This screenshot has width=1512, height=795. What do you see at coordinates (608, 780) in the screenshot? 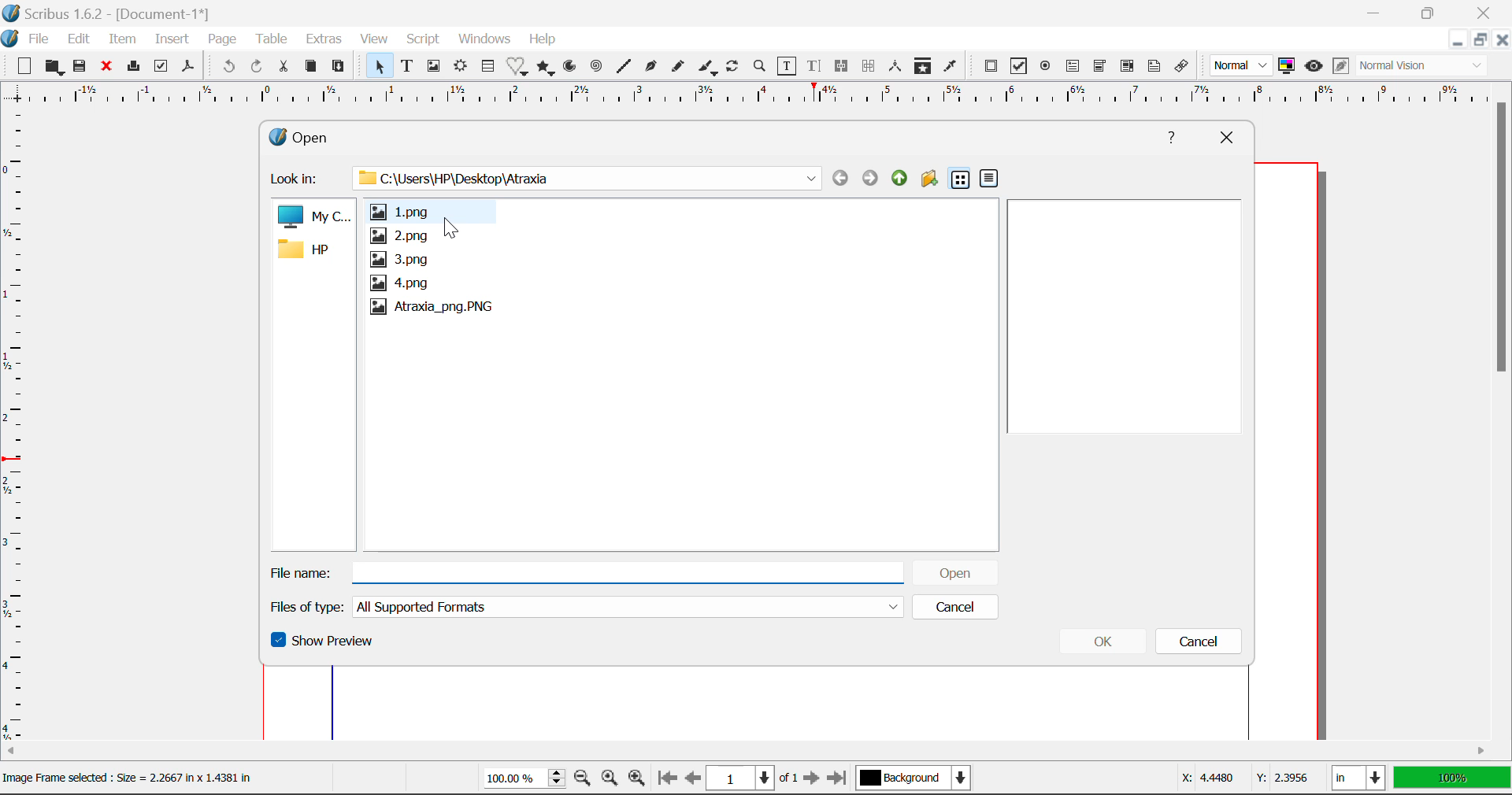
I see `Zoom to 100%` at bounding box center [608, 780].